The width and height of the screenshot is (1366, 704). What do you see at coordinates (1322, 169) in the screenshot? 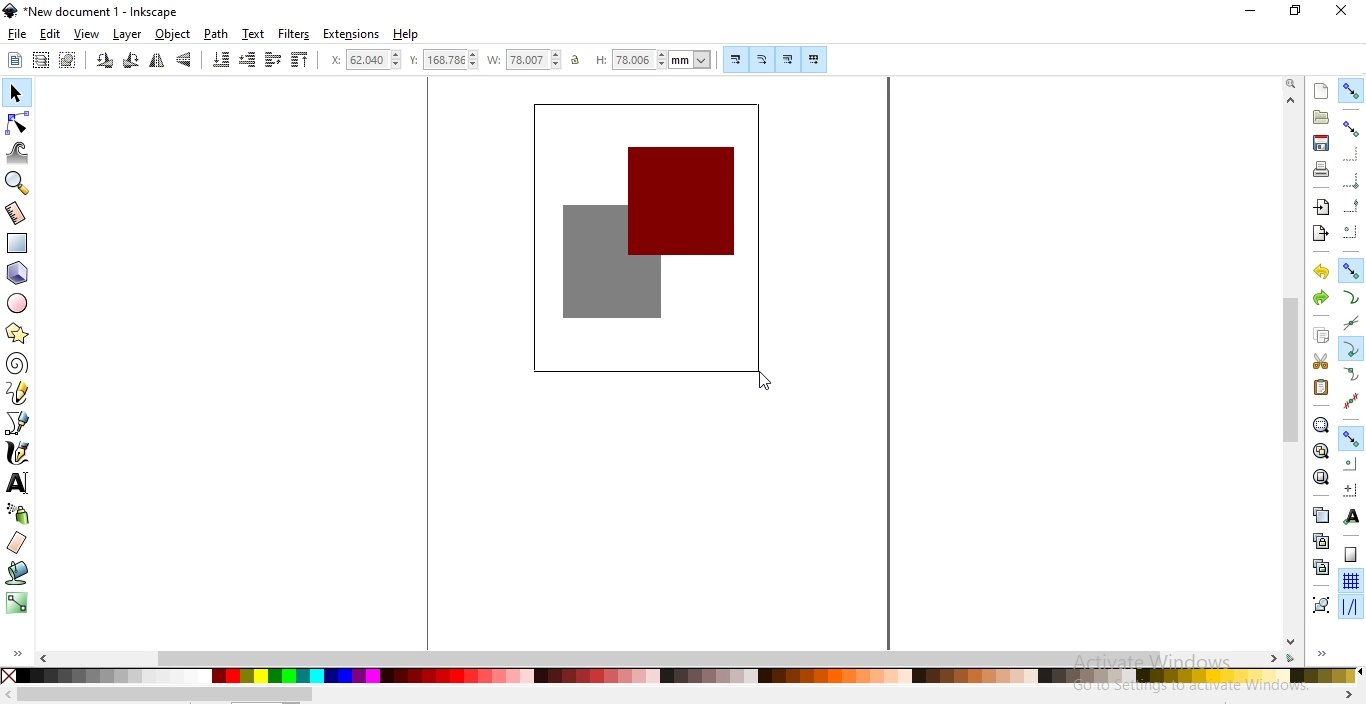
I see `print document` at bounding box center [1322, 169].